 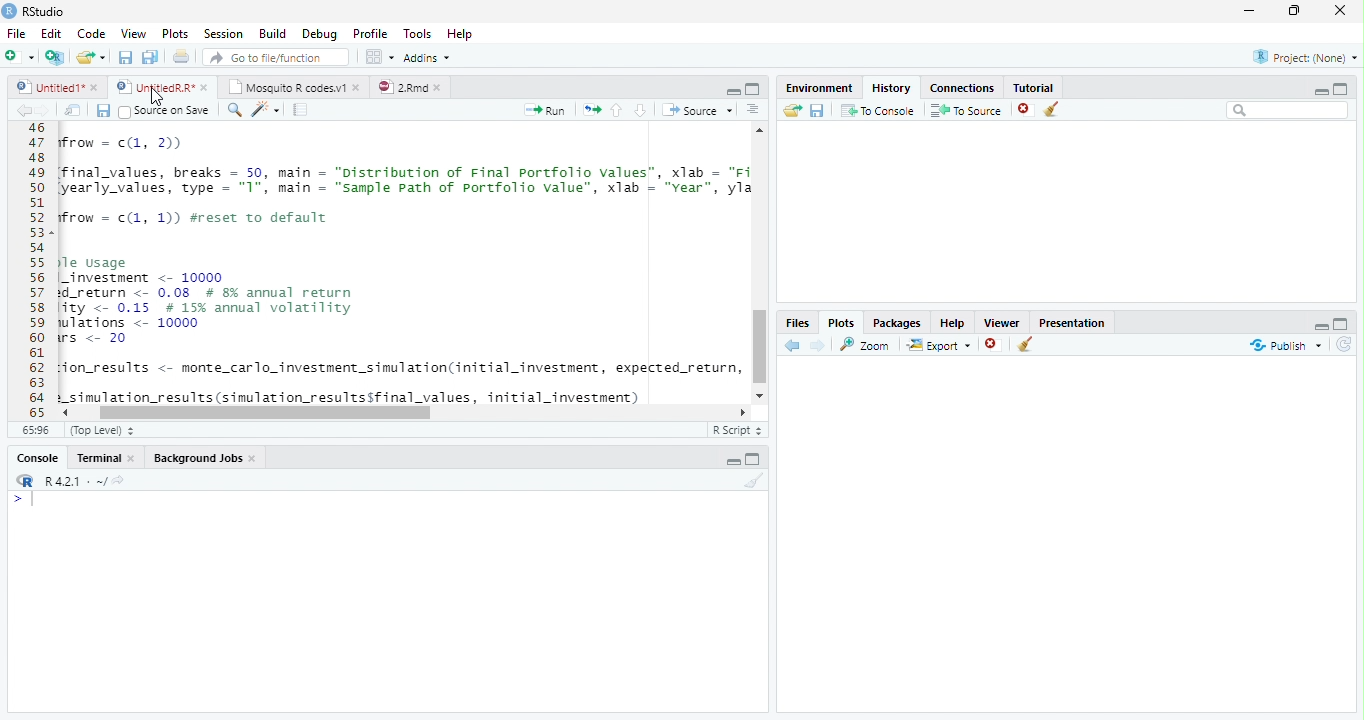 I want to click on Project: (None), so click(x=1301, y=58).